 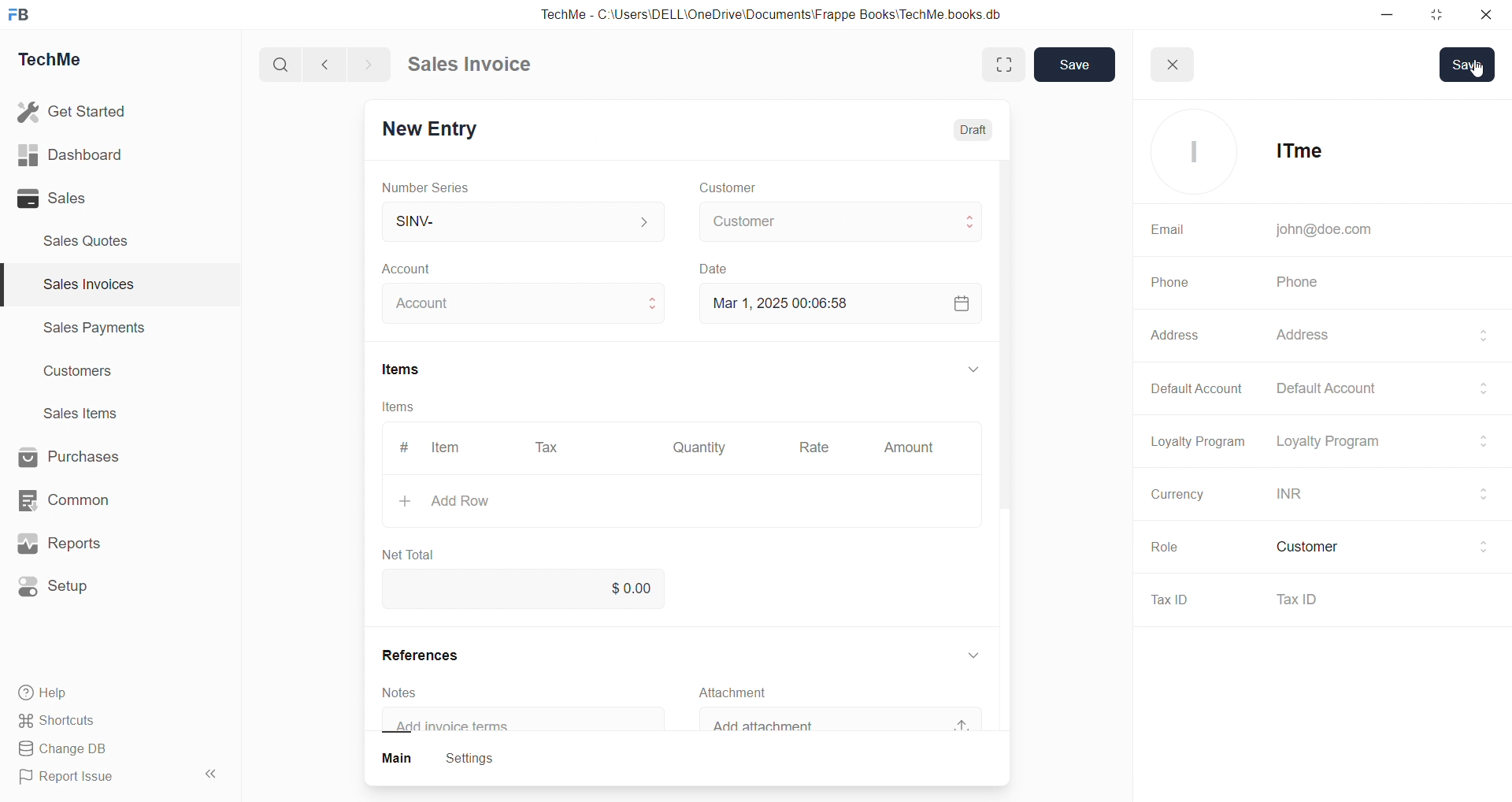 What do you see at coordinates (1373, 440) in the screenshot?
I see `Loyalty Program` at bounding box center [1373, 440].